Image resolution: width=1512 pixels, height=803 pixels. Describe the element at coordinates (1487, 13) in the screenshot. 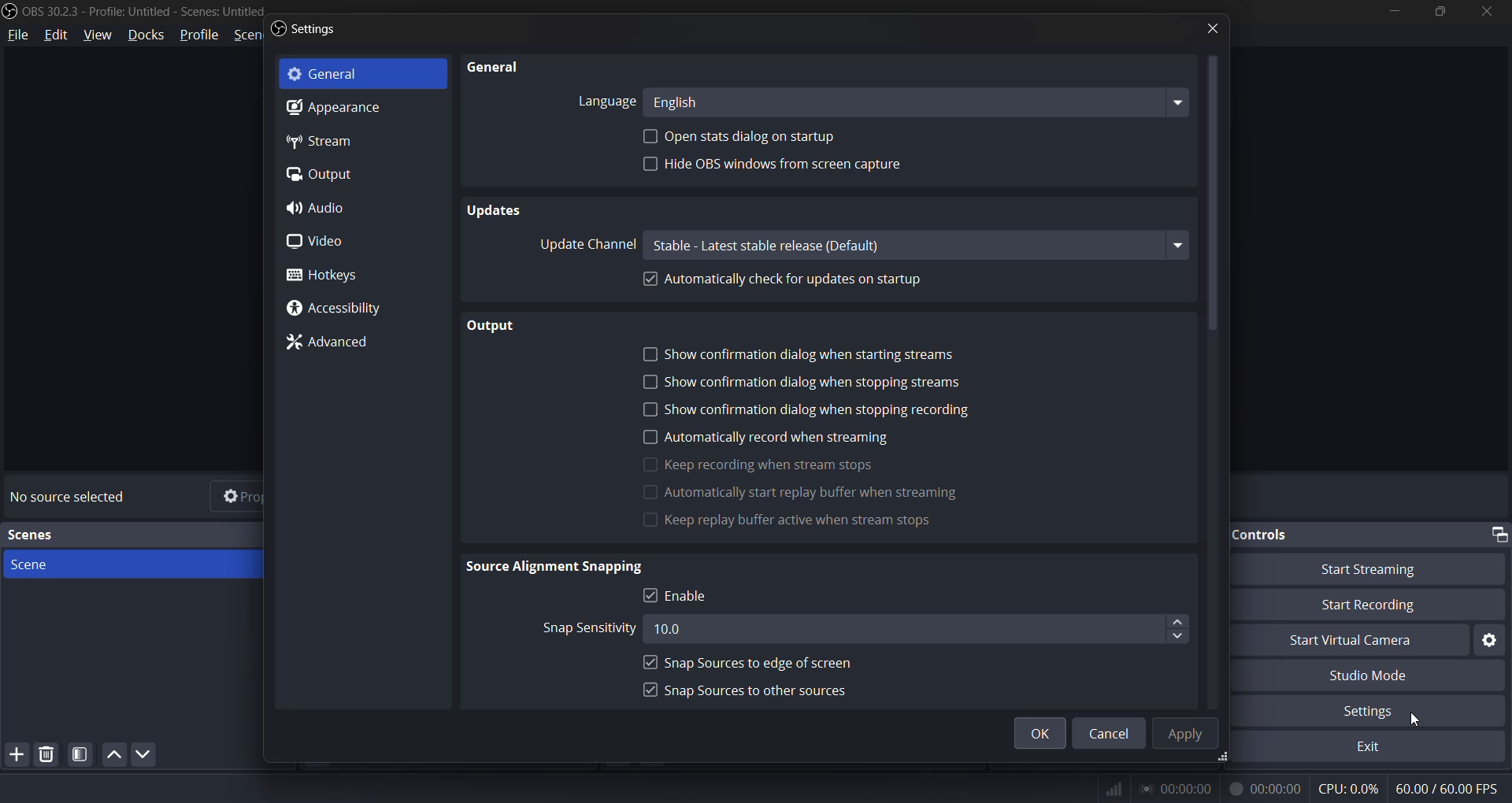

I see `close` at that location.